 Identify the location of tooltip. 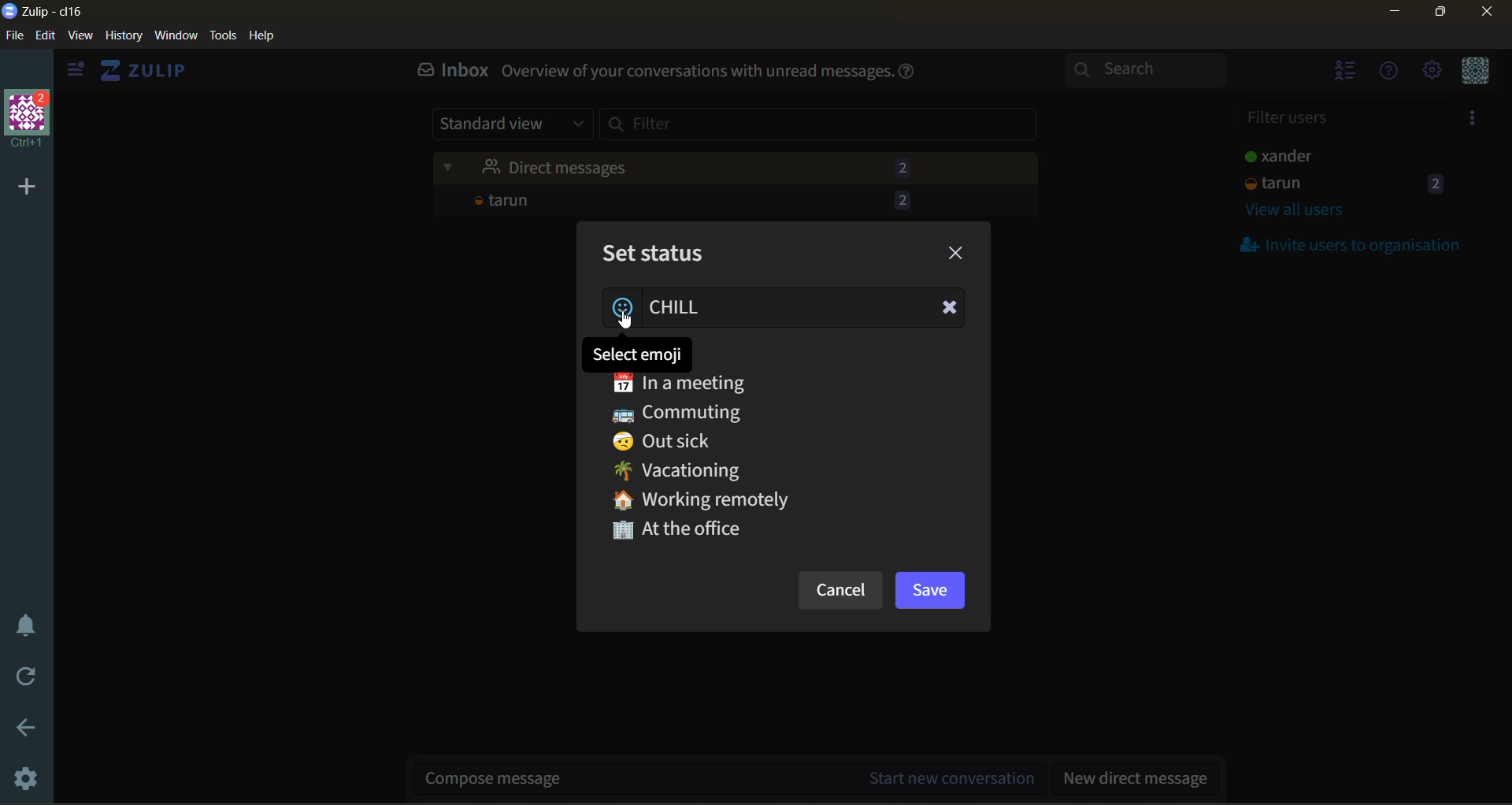
(641, 356).